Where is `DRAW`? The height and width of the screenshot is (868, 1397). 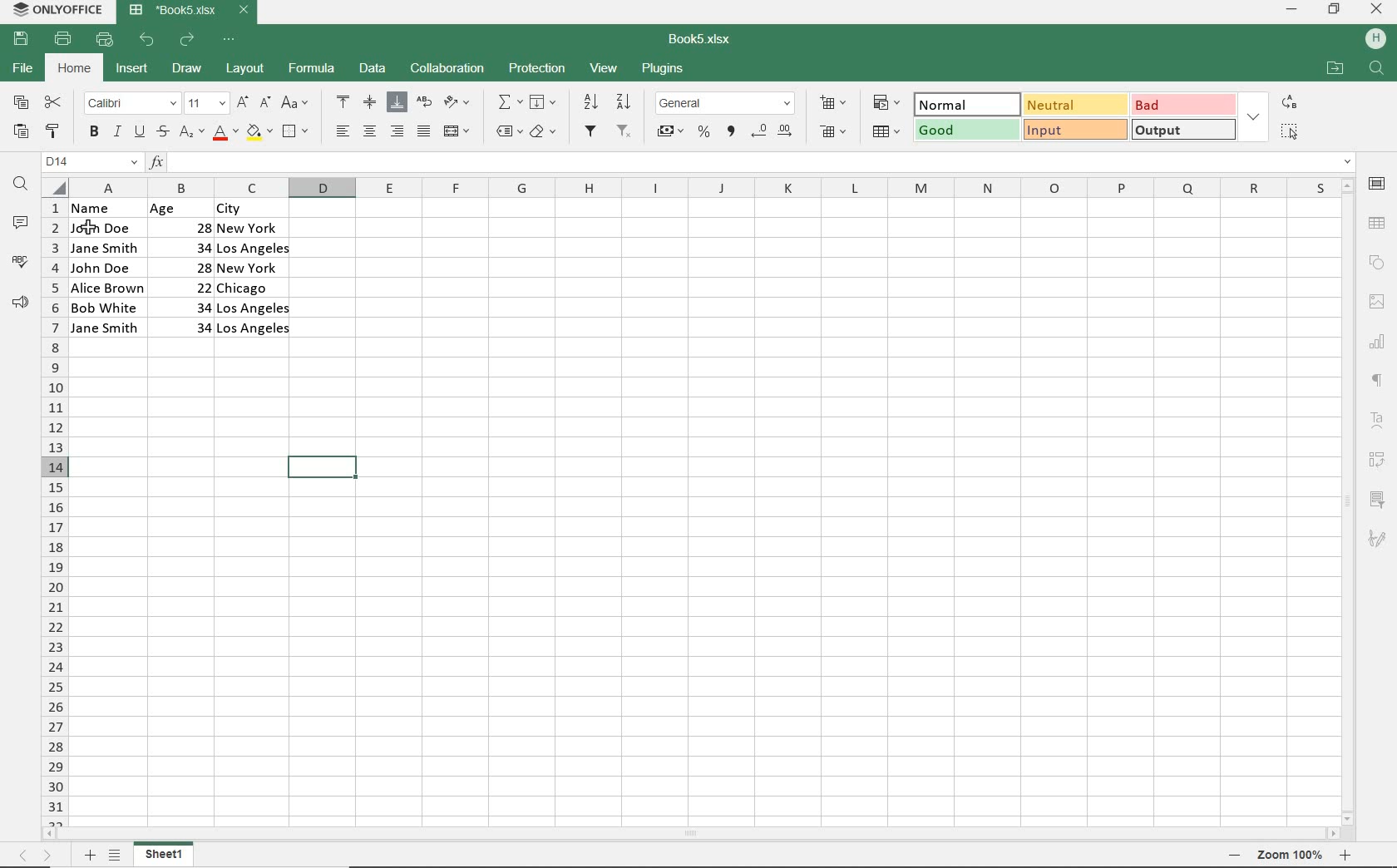
DRAW is located at coordinates (188, 68).